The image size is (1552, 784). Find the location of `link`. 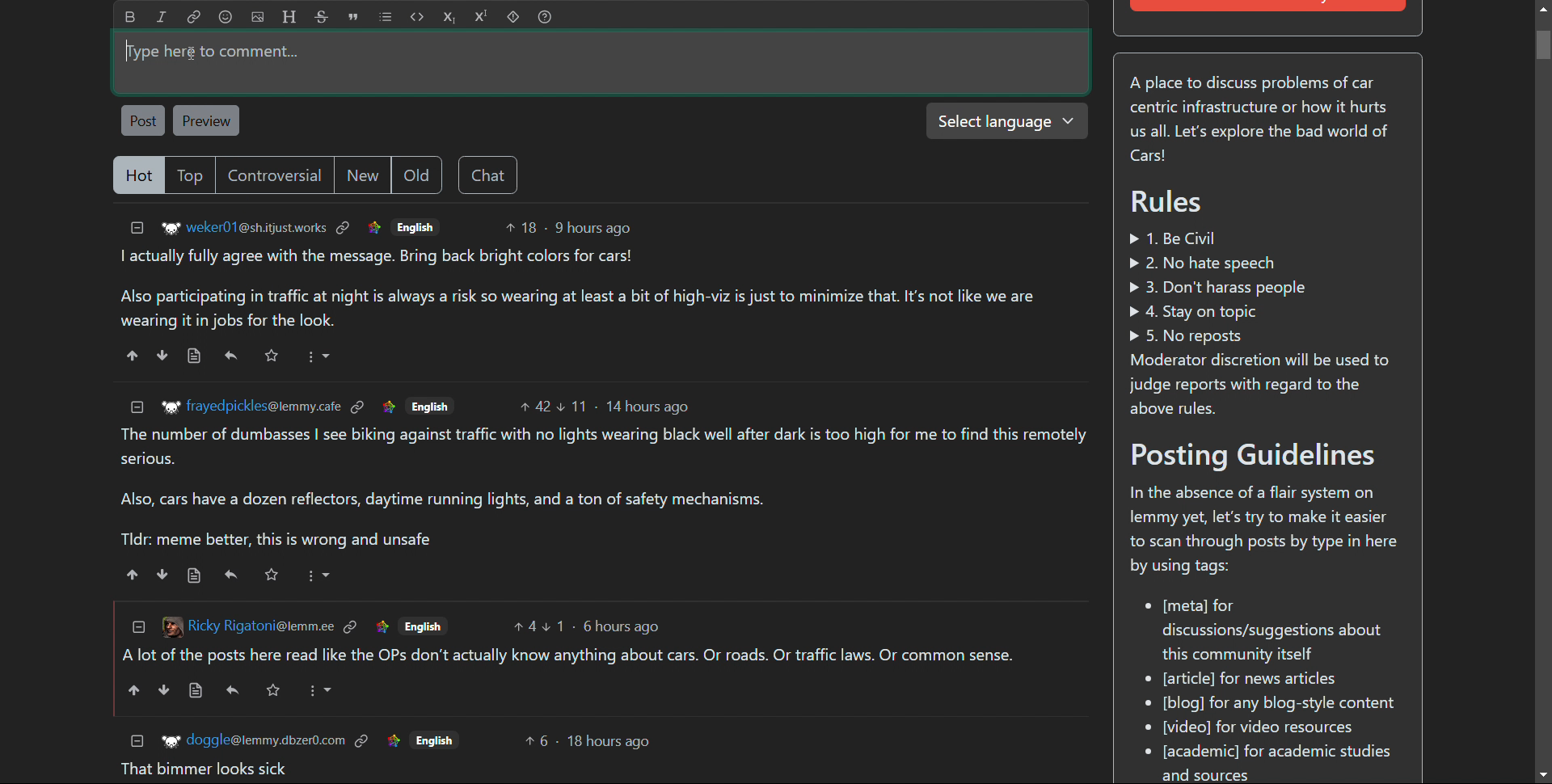

link is located at coordinates (388, 406).